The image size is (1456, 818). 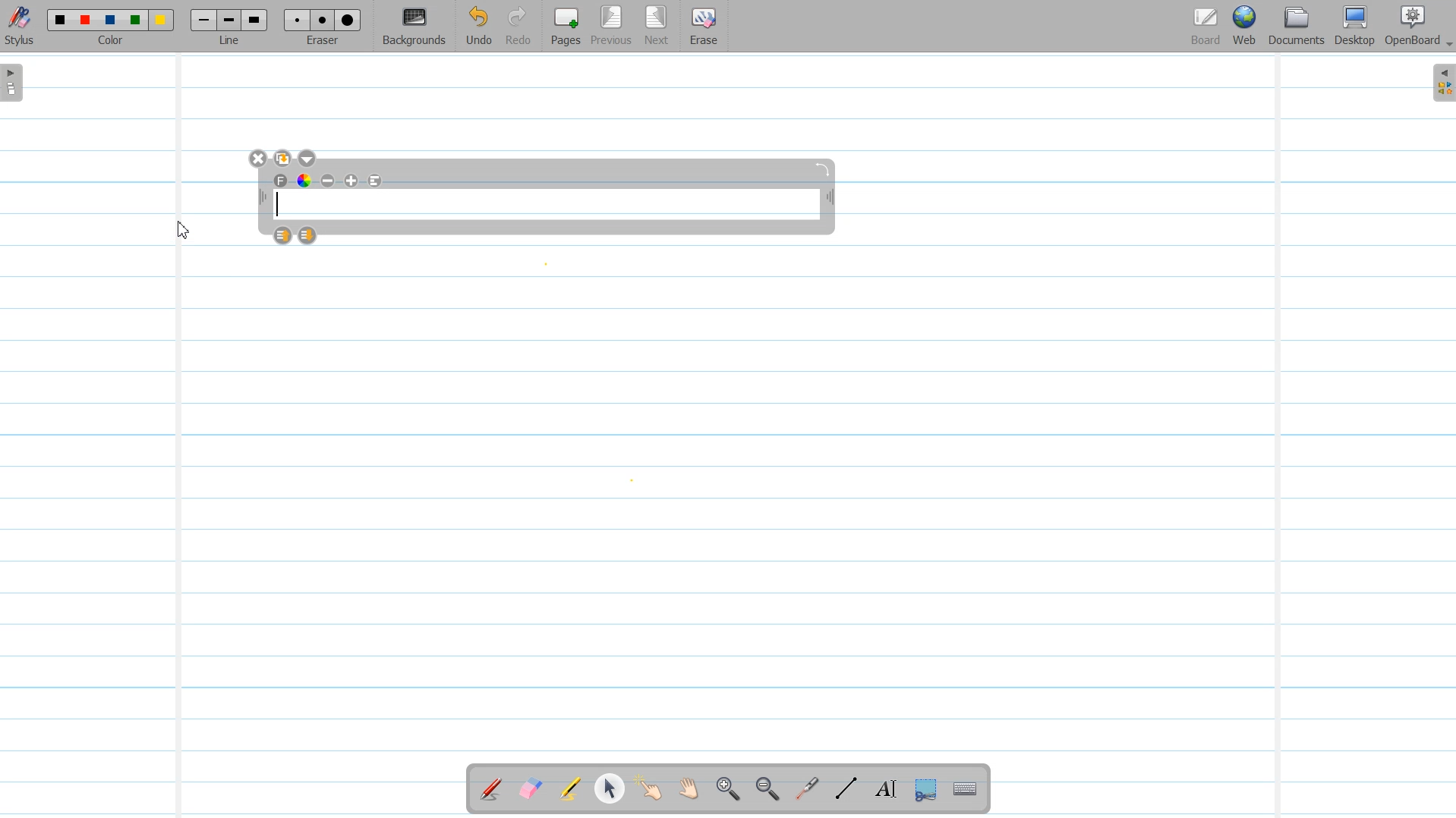 What do you see at coordinates (830, 199) in the screenshot?
I see `Adjust width of text tool` at bounding box center [830, 199].